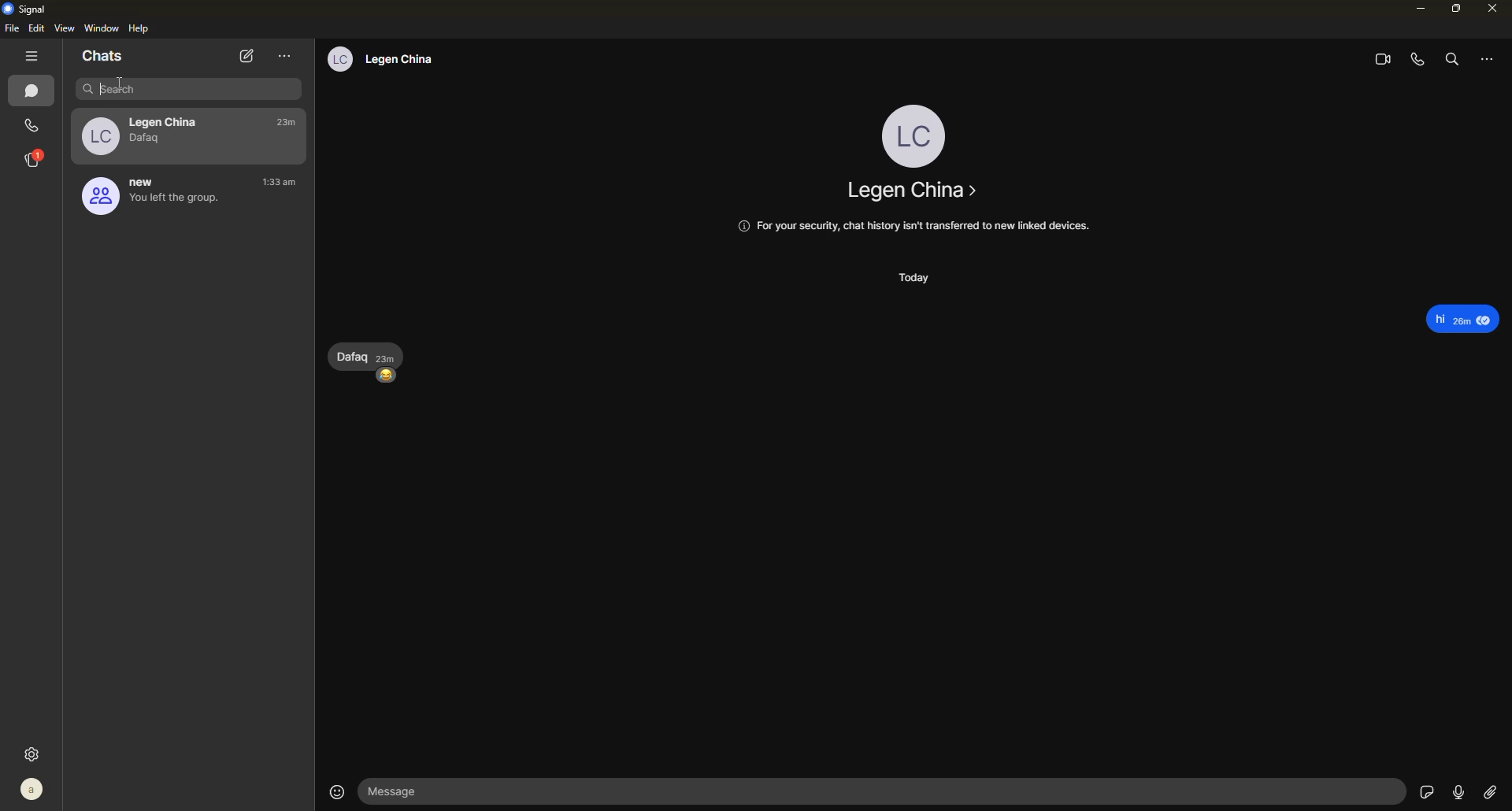  Describe the element at coordinates (11, 30) in the screenshot. I see `file` at that location.